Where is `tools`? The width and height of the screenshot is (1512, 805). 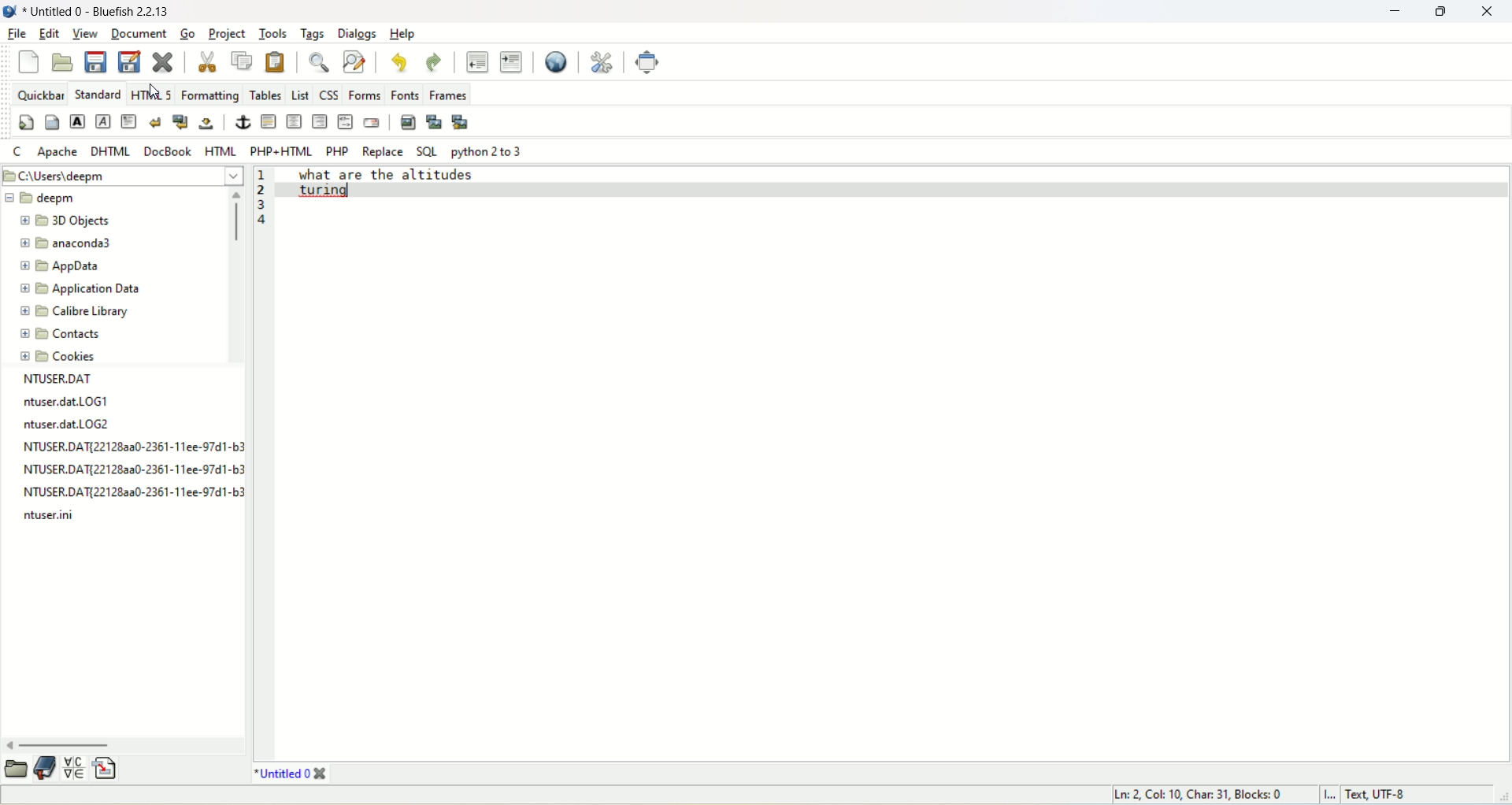
tools is located at coordinates (274, 34).